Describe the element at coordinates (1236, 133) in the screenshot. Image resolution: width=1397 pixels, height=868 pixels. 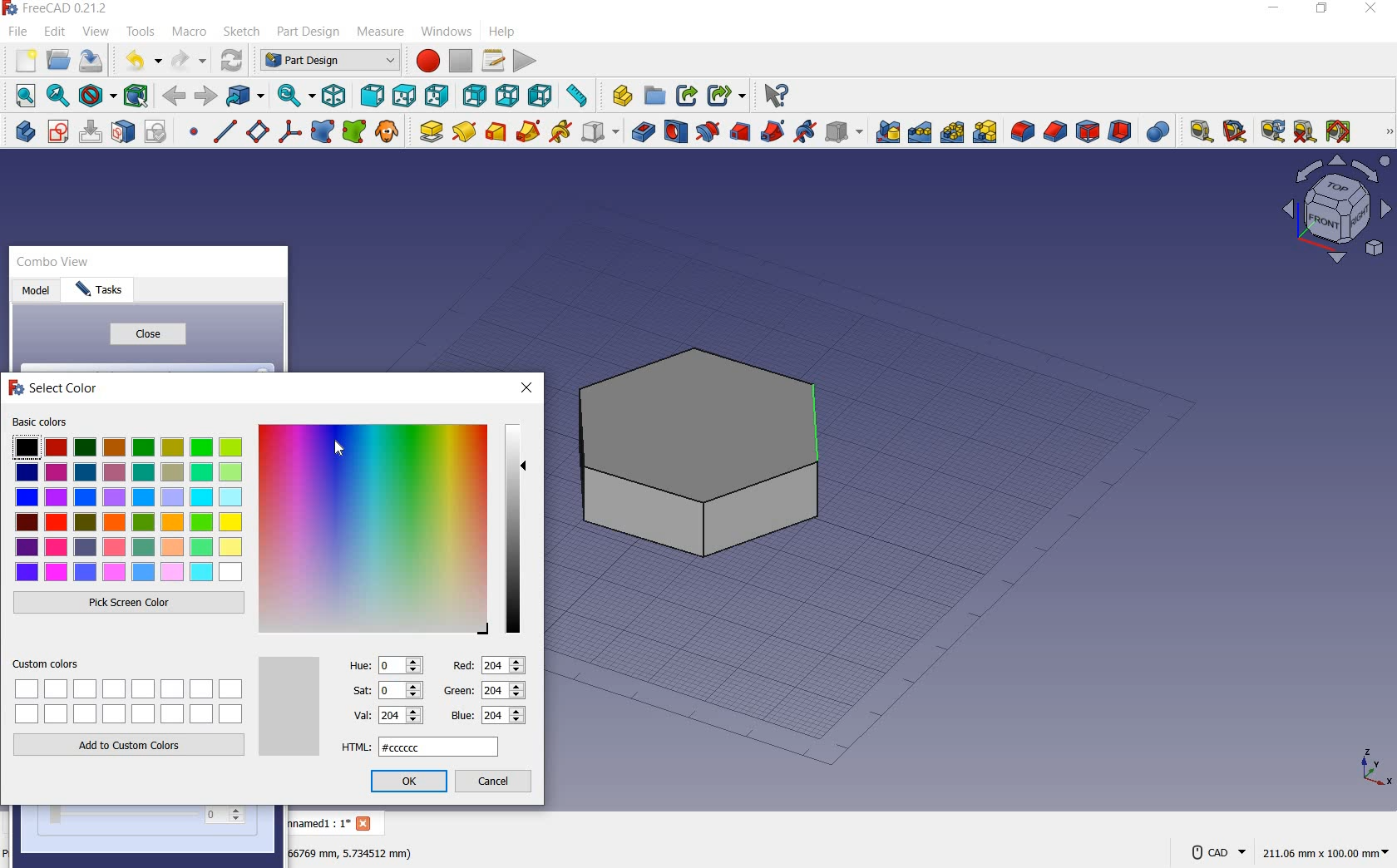
I see `measure angular` at that location.